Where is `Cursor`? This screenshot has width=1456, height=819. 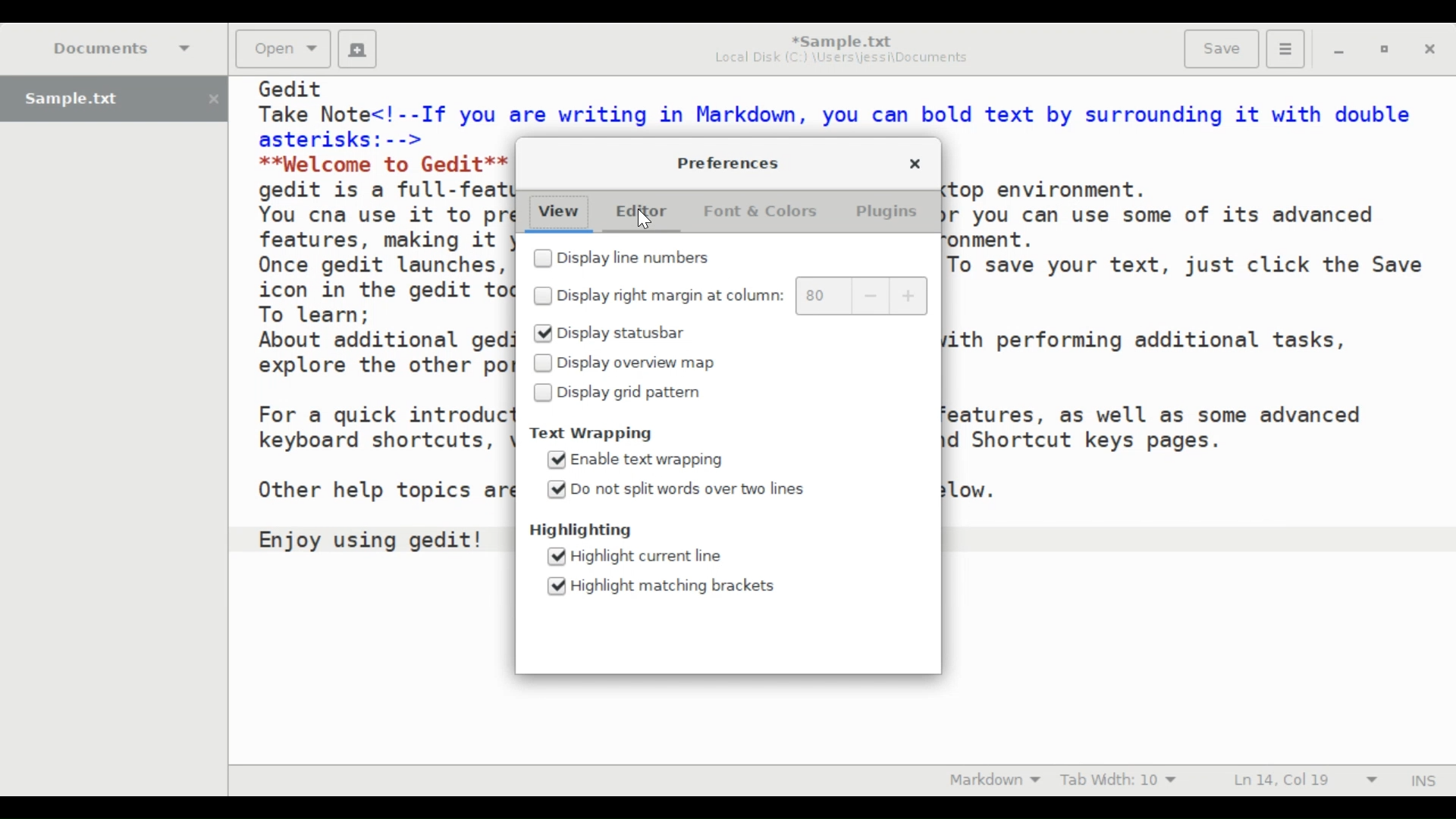 Cursor is located at coordinates (647, 218).